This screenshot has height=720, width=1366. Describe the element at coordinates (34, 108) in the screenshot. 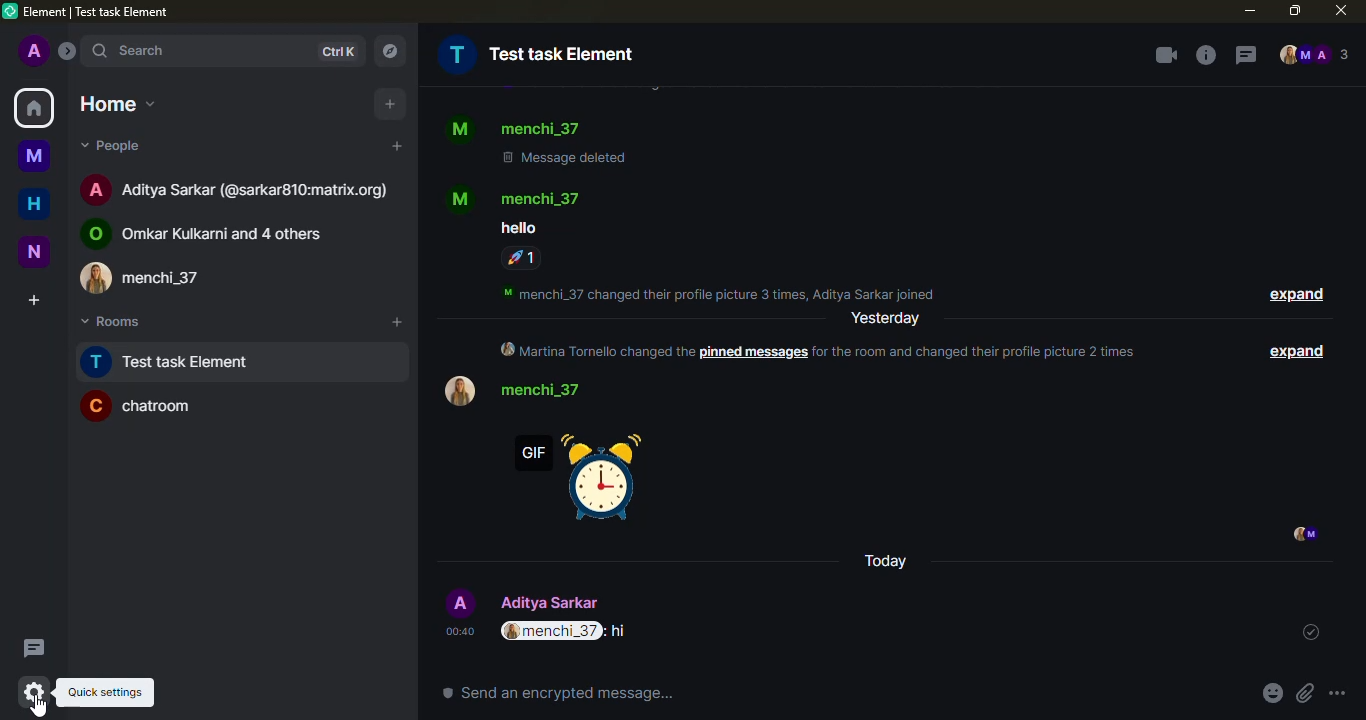

I see `home` at that location.